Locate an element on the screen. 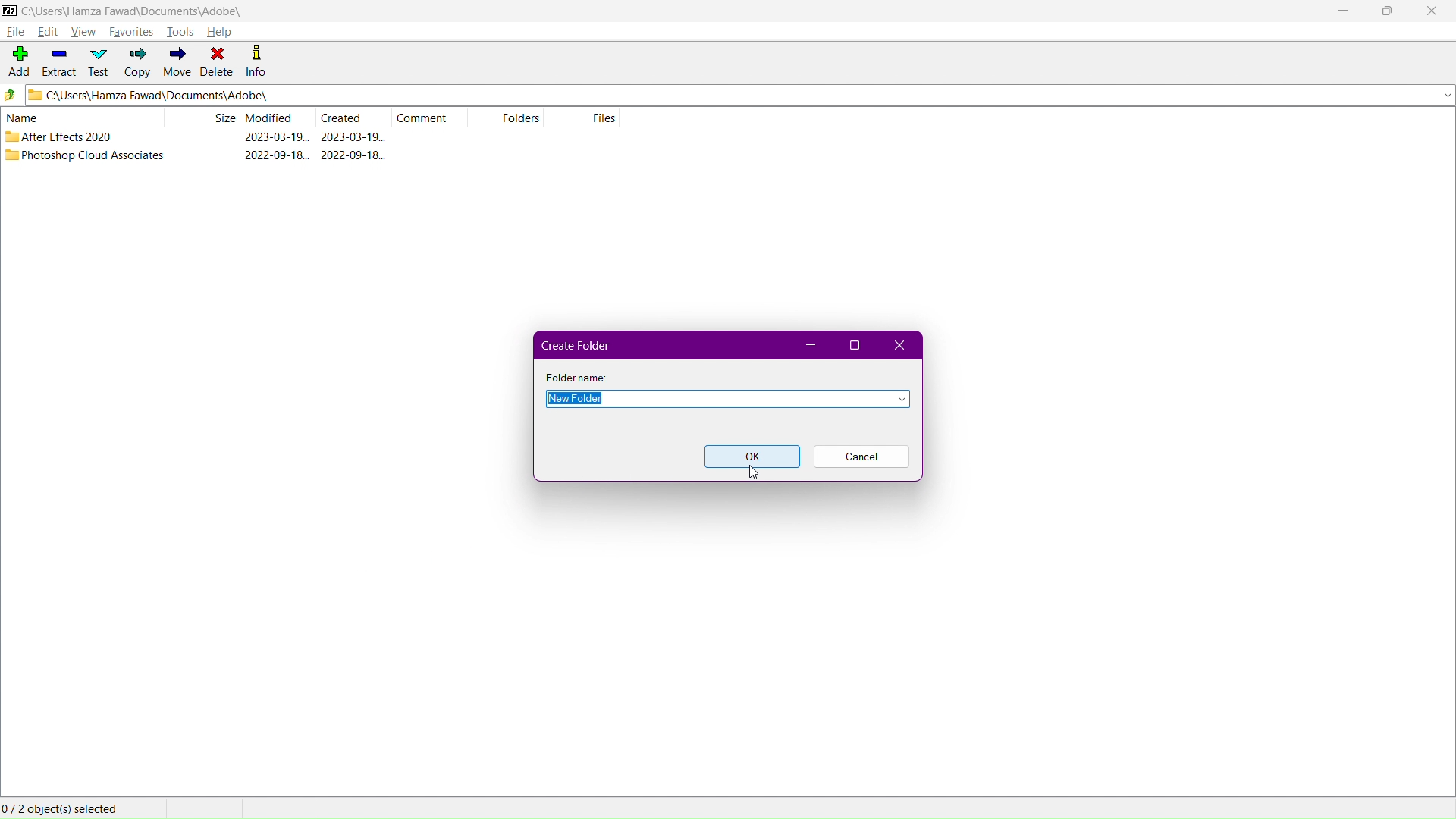  Info is located at coordinates (262, 63).